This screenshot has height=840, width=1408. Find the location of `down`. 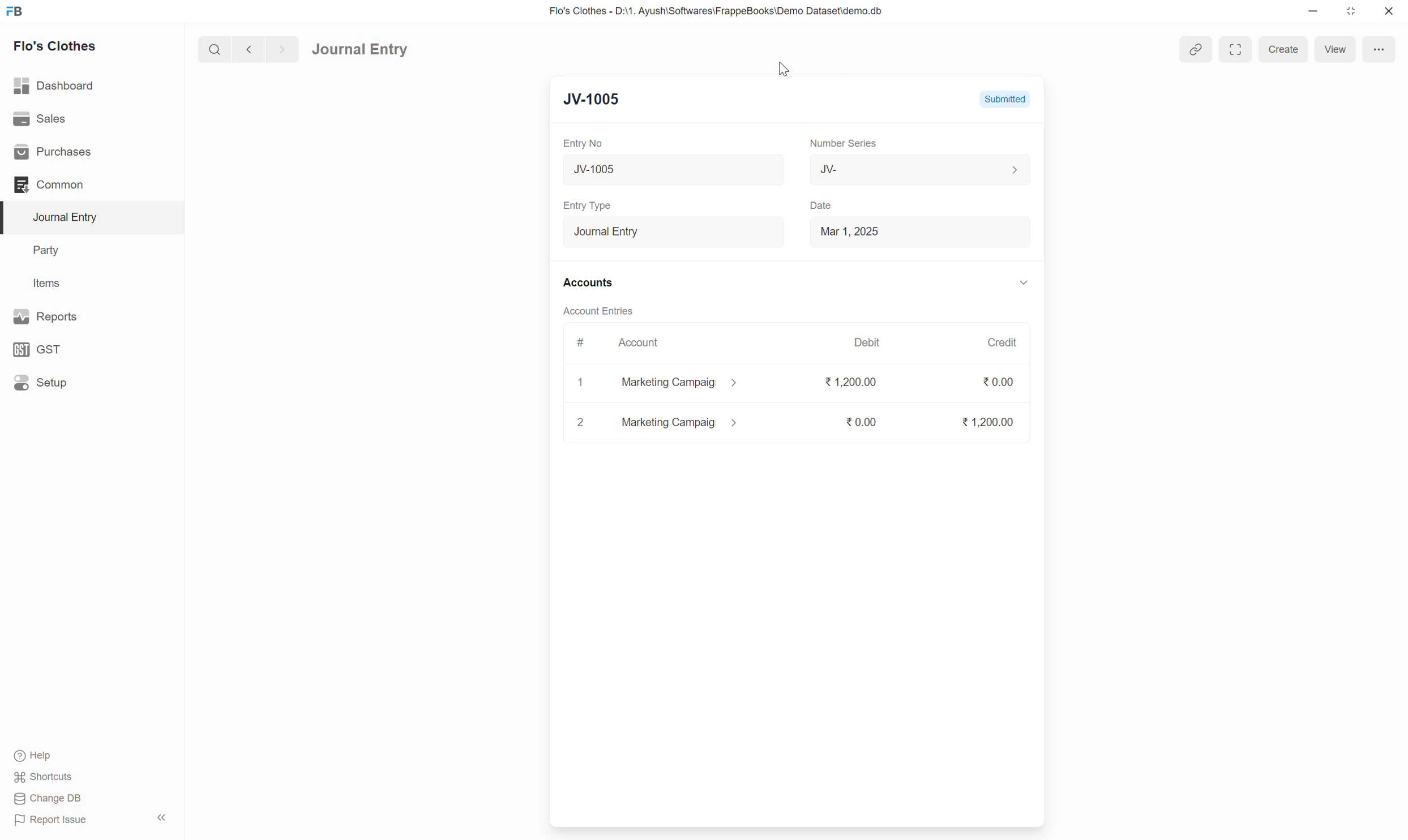

down is located at coordinates (1022, 284).